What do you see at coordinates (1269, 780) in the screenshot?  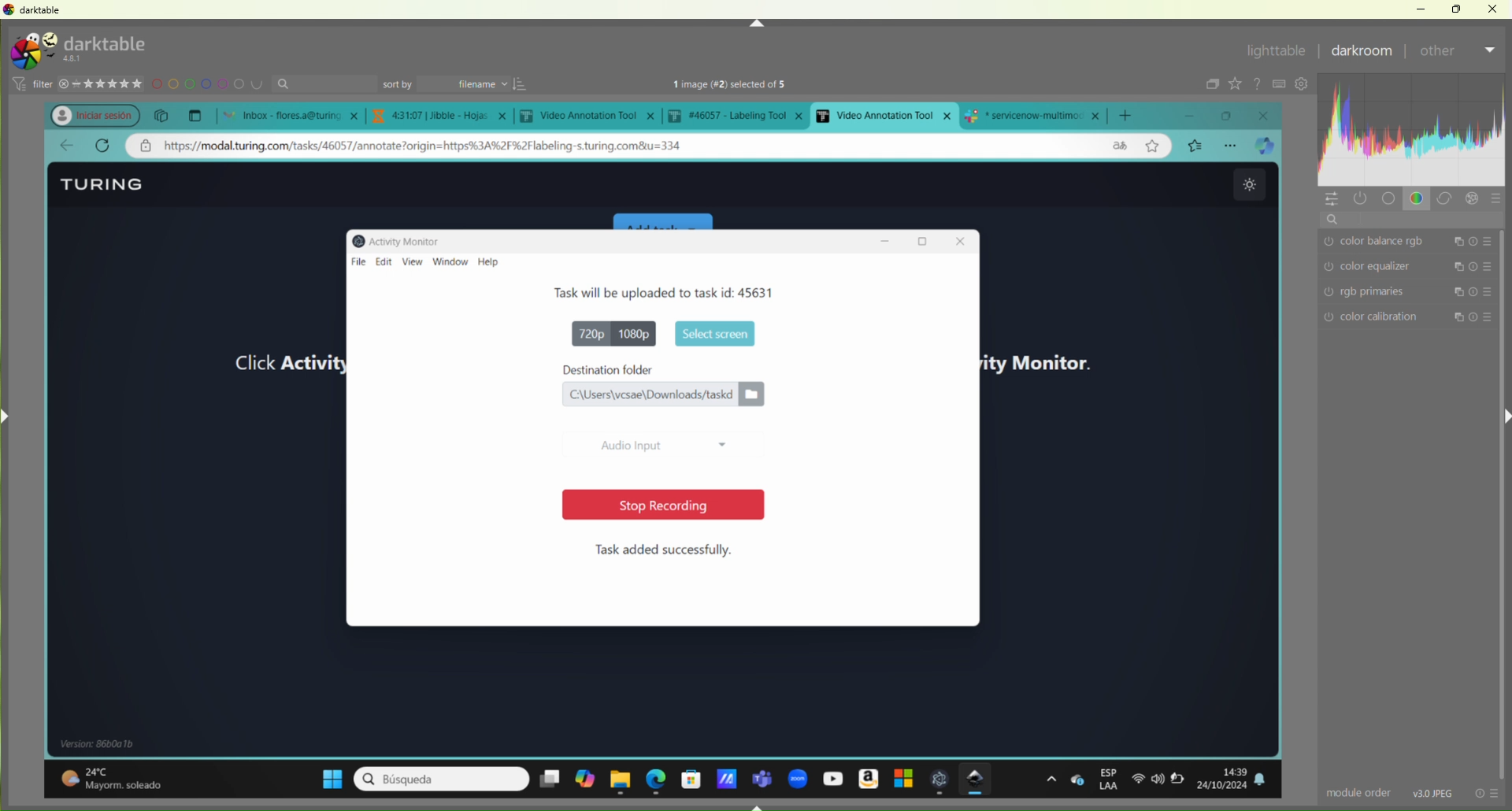 I see `notifications` at bounding box center [1269, 780].